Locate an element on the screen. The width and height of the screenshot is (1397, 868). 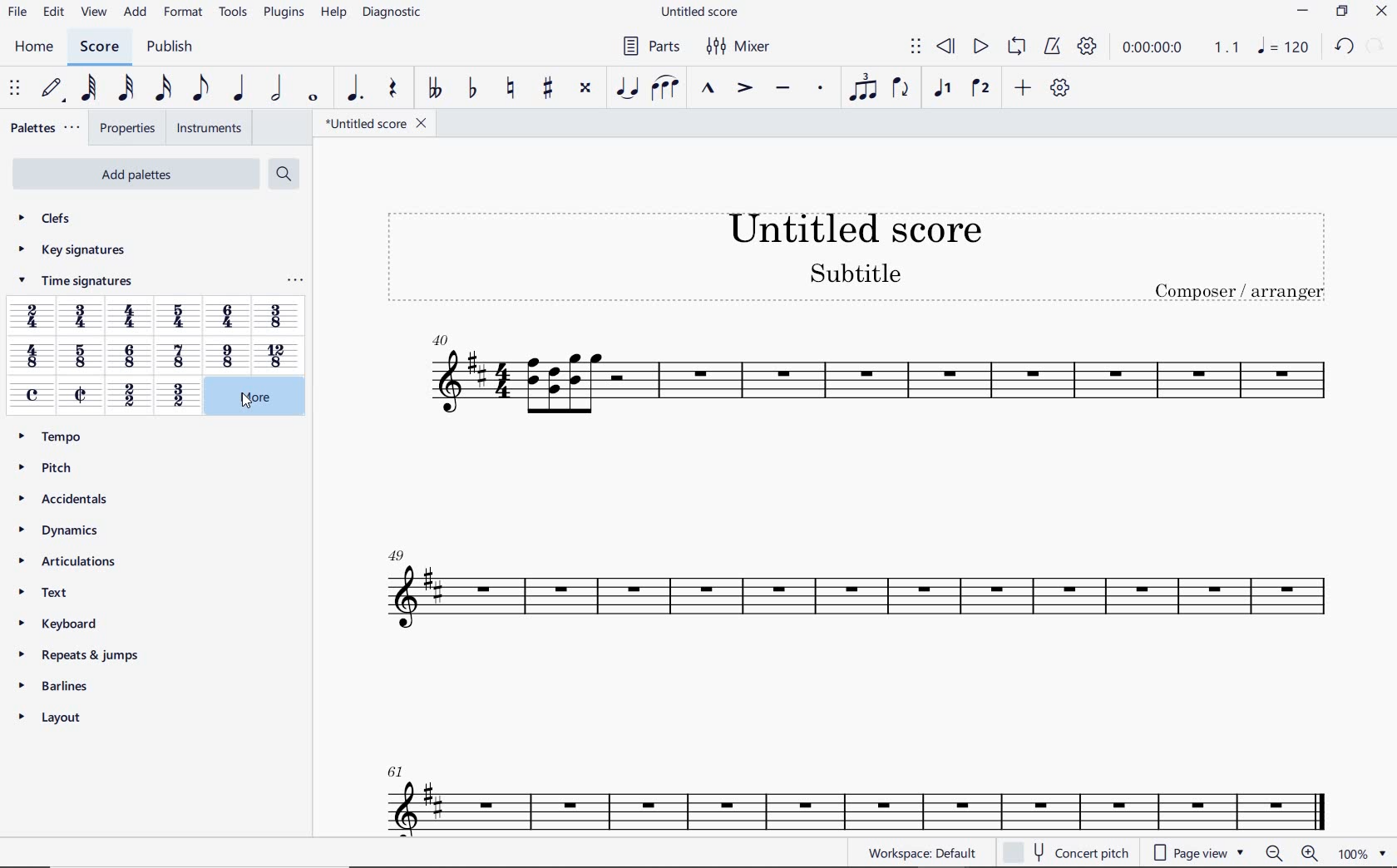
SLUR is located at coordinates (664, 88).